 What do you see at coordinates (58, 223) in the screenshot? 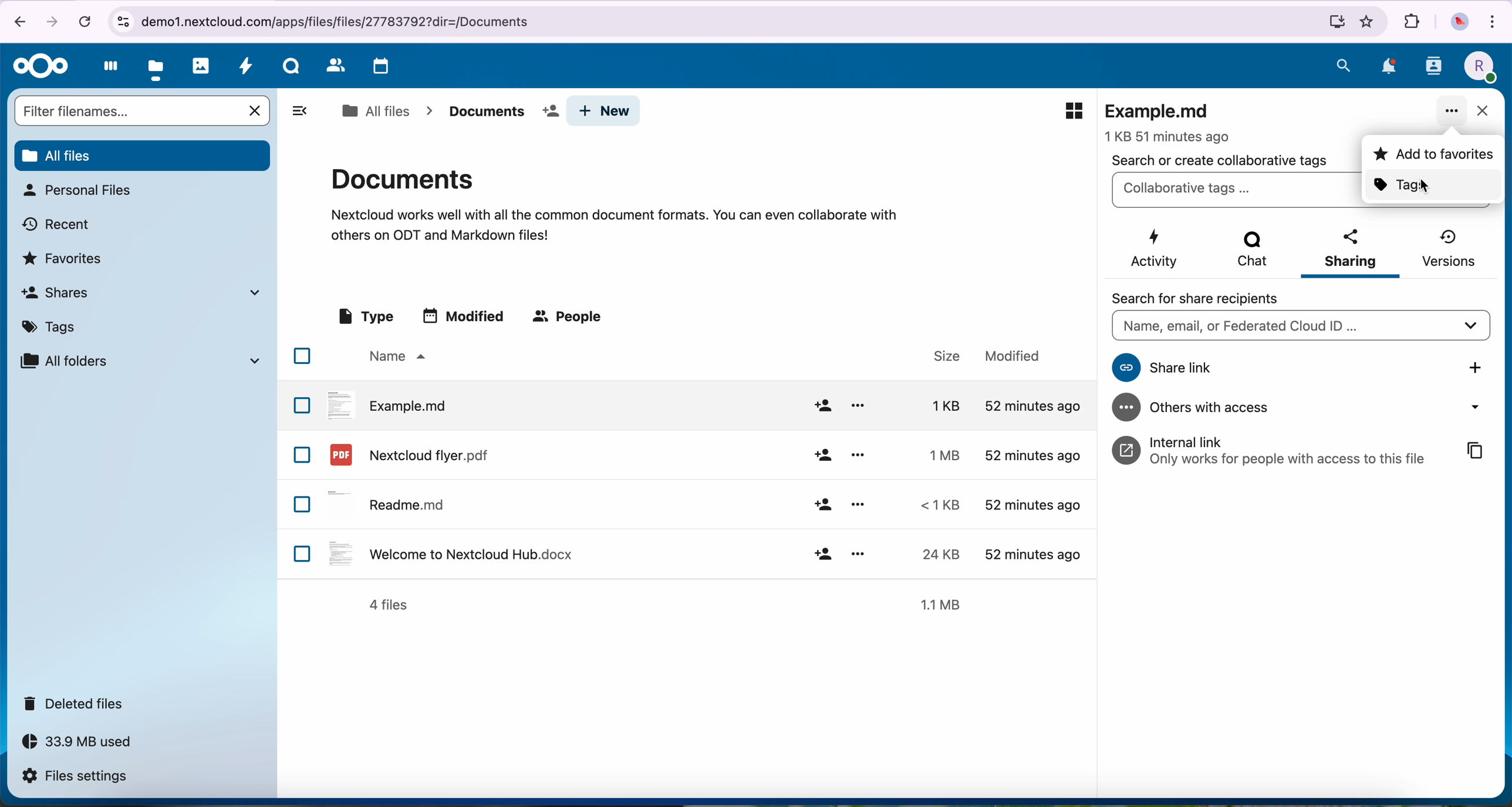
I see `recent` at bounding box center [58, 223].